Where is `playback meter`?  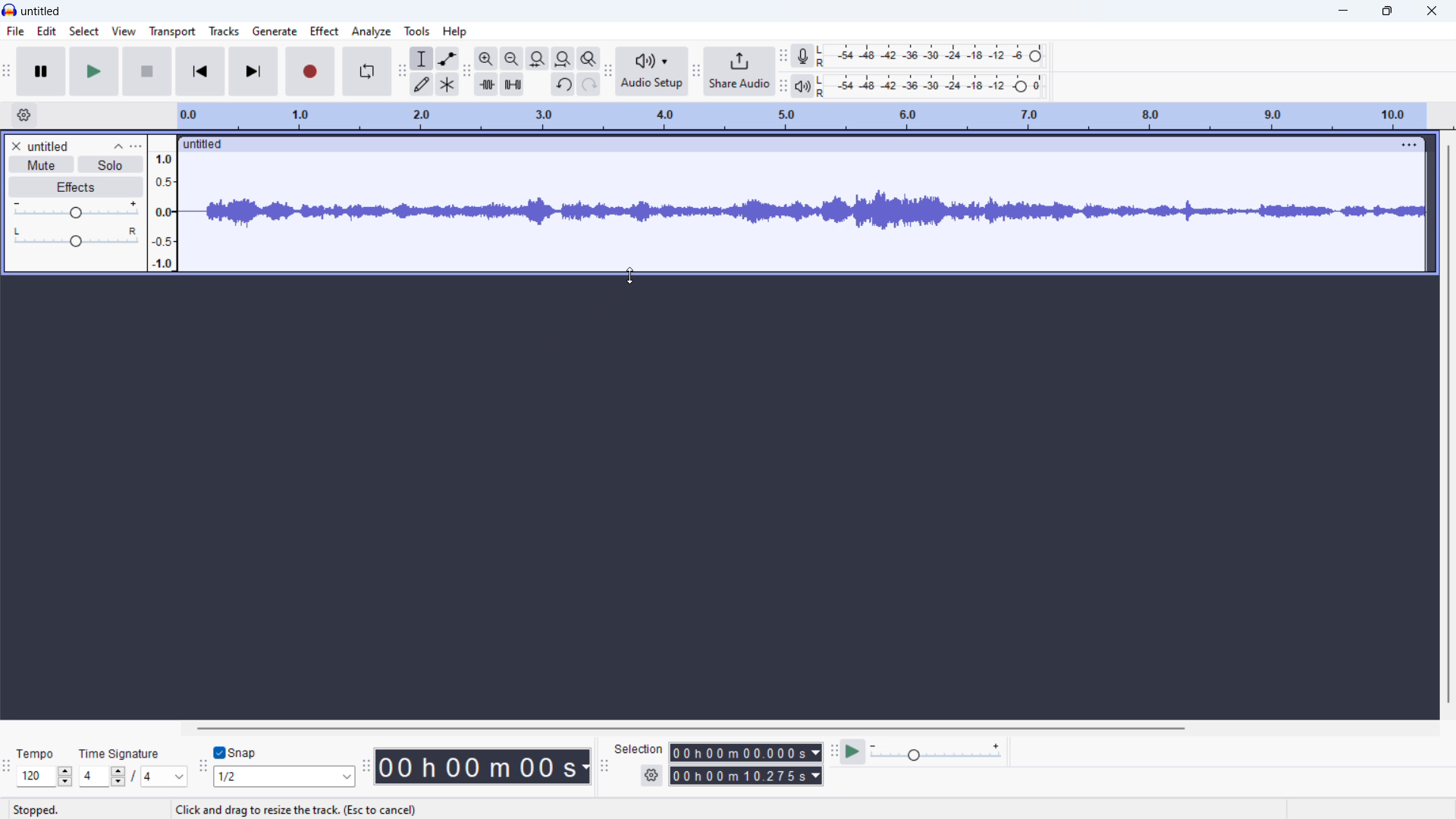 playback meter is located at coordinates (803, 86).